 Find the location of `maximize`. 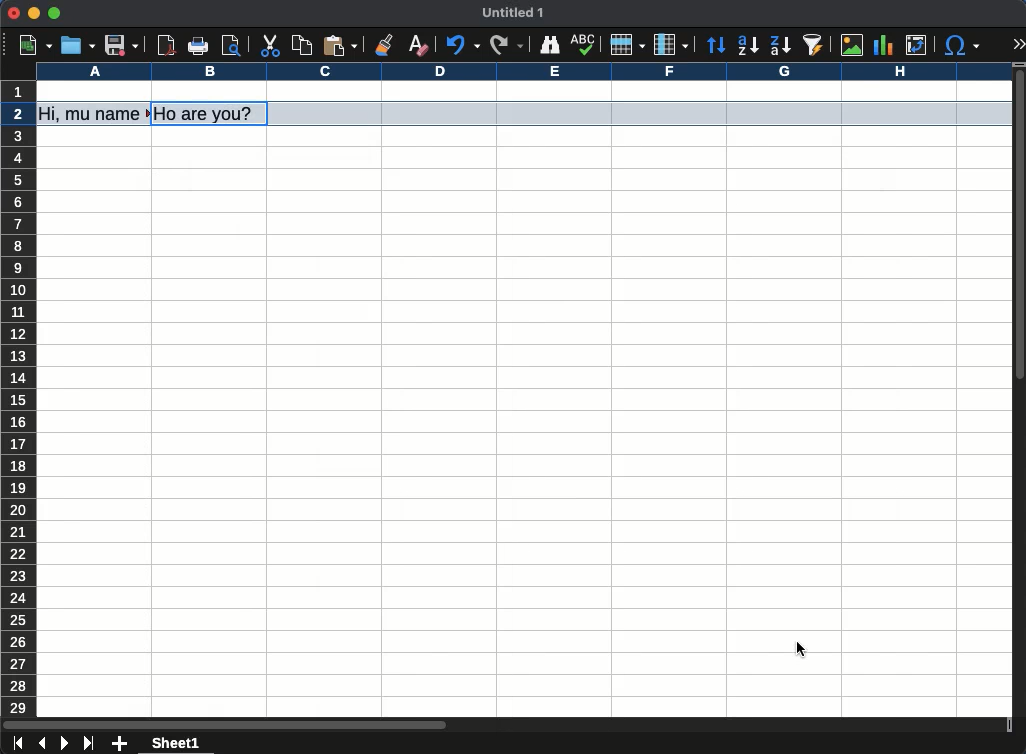

maximize is located at coordinates (54, 12).